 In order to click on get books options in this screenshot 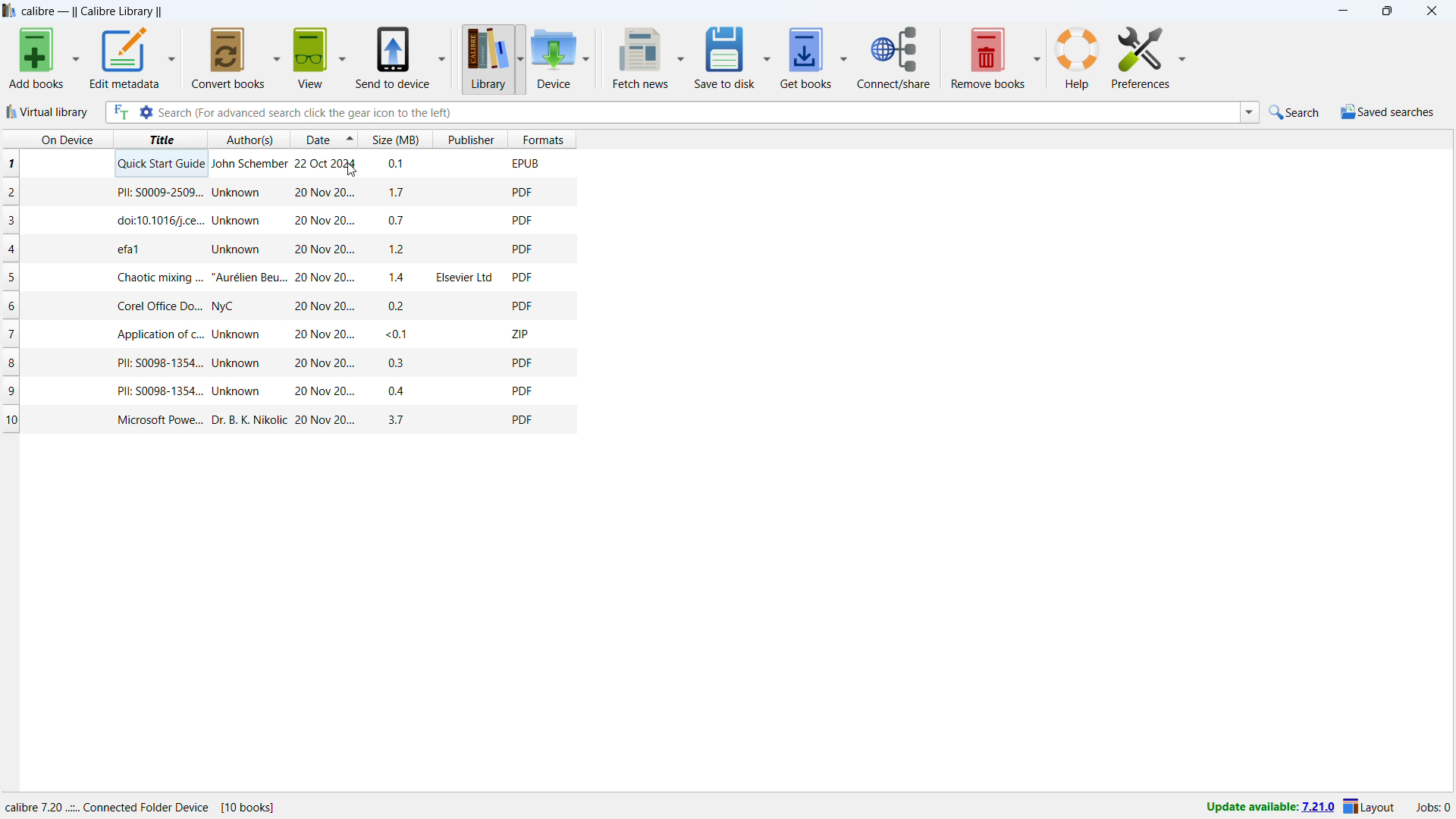, I will do `click(843, 58)`.